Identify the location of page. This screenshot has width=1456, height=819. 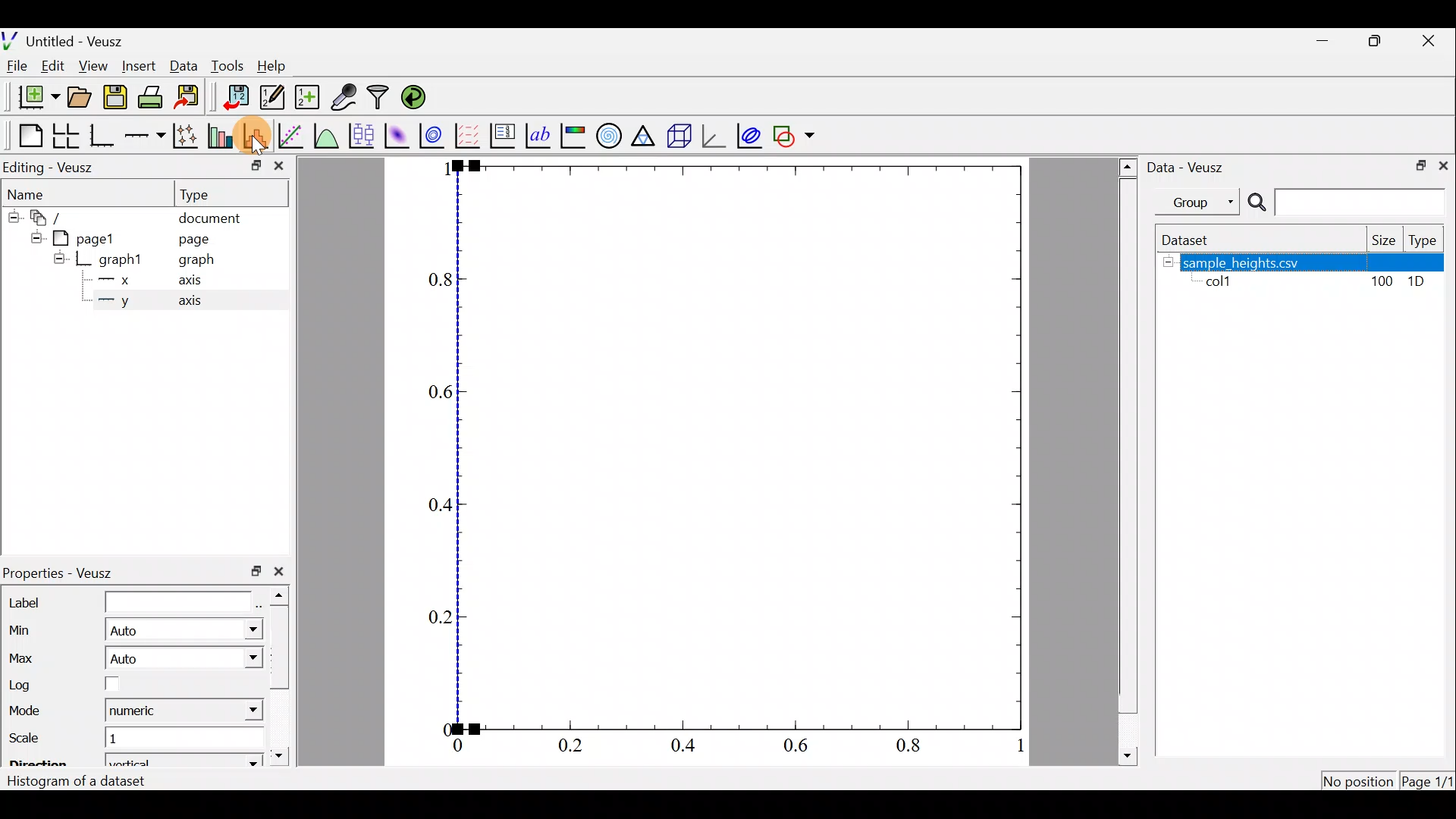
(196, 240).